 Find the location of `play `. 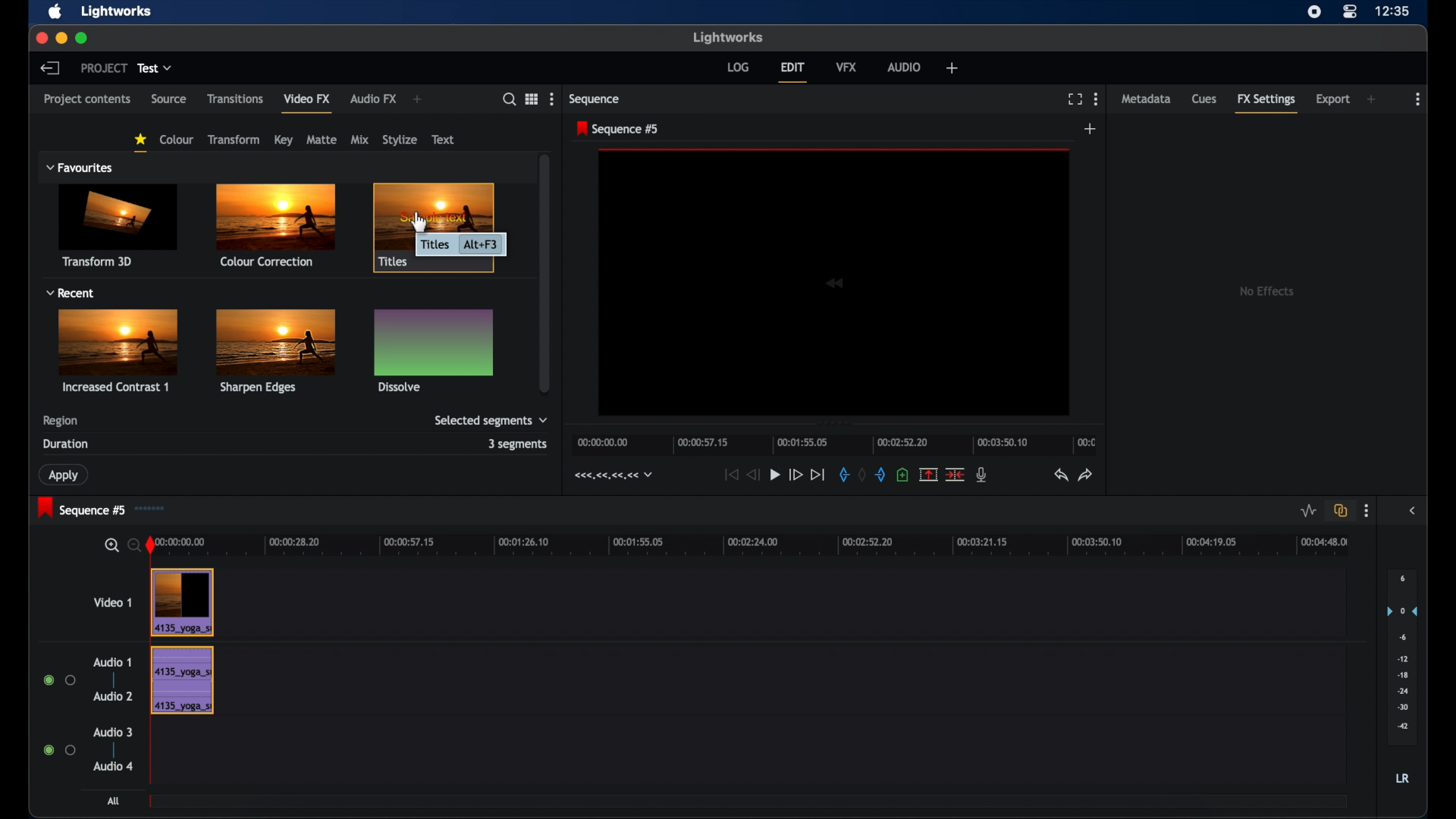

play  is located at coordinates (775, 475).